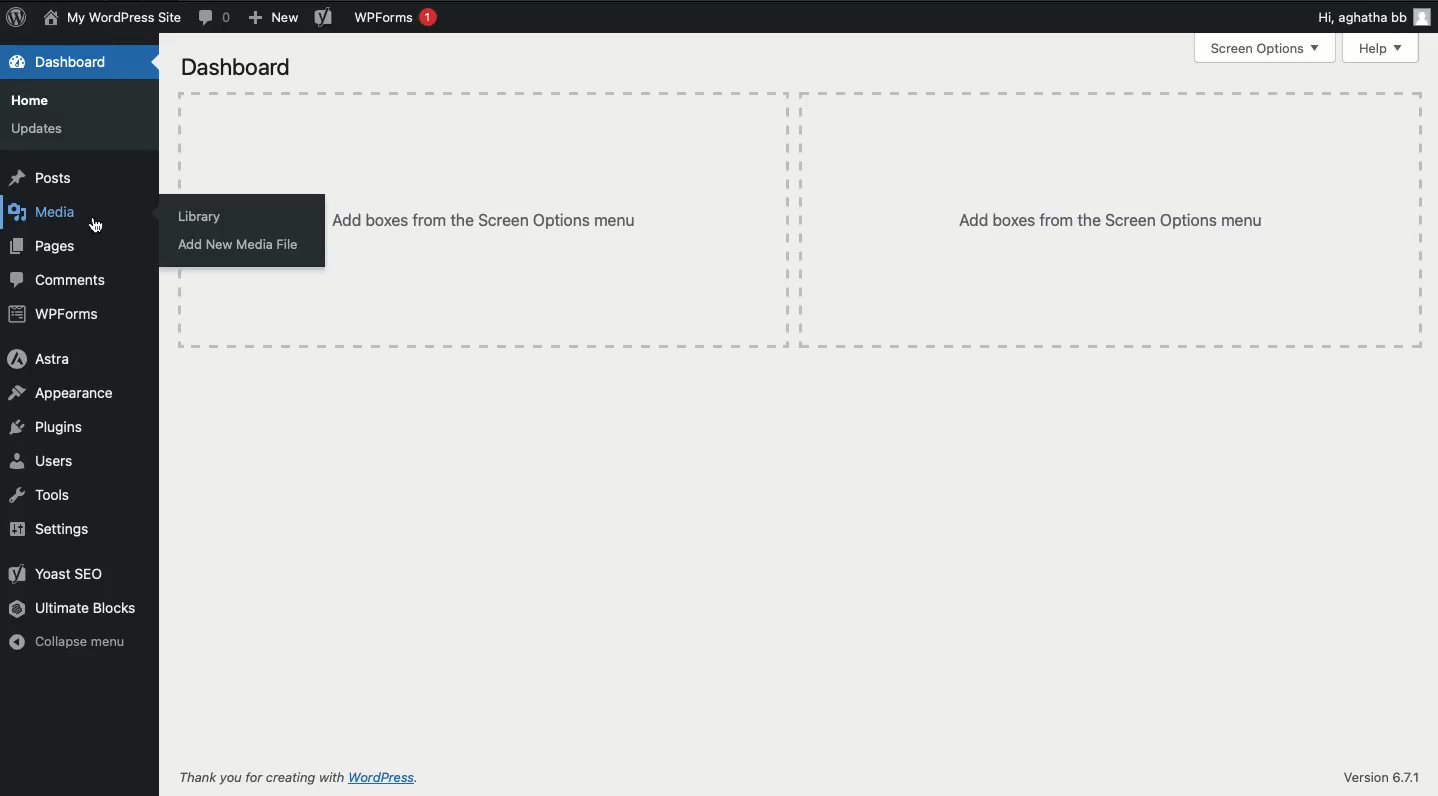 The image size is (1438, 796). I want to click on cursor, so click(92, 223).